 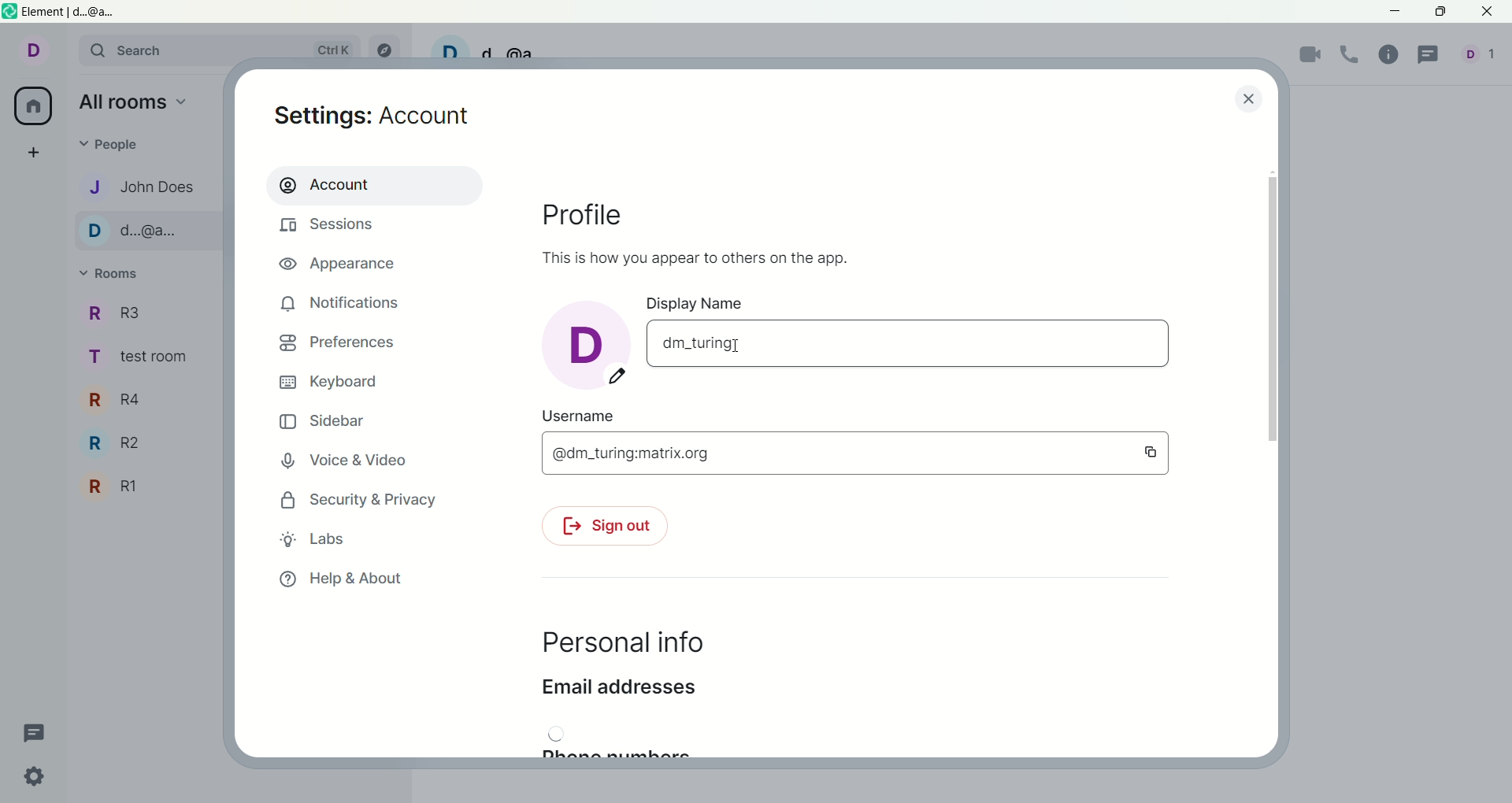 What do you see at coordinates (735, 303) in the screenshot?
I see `display name` at bounding box center [735, 303].